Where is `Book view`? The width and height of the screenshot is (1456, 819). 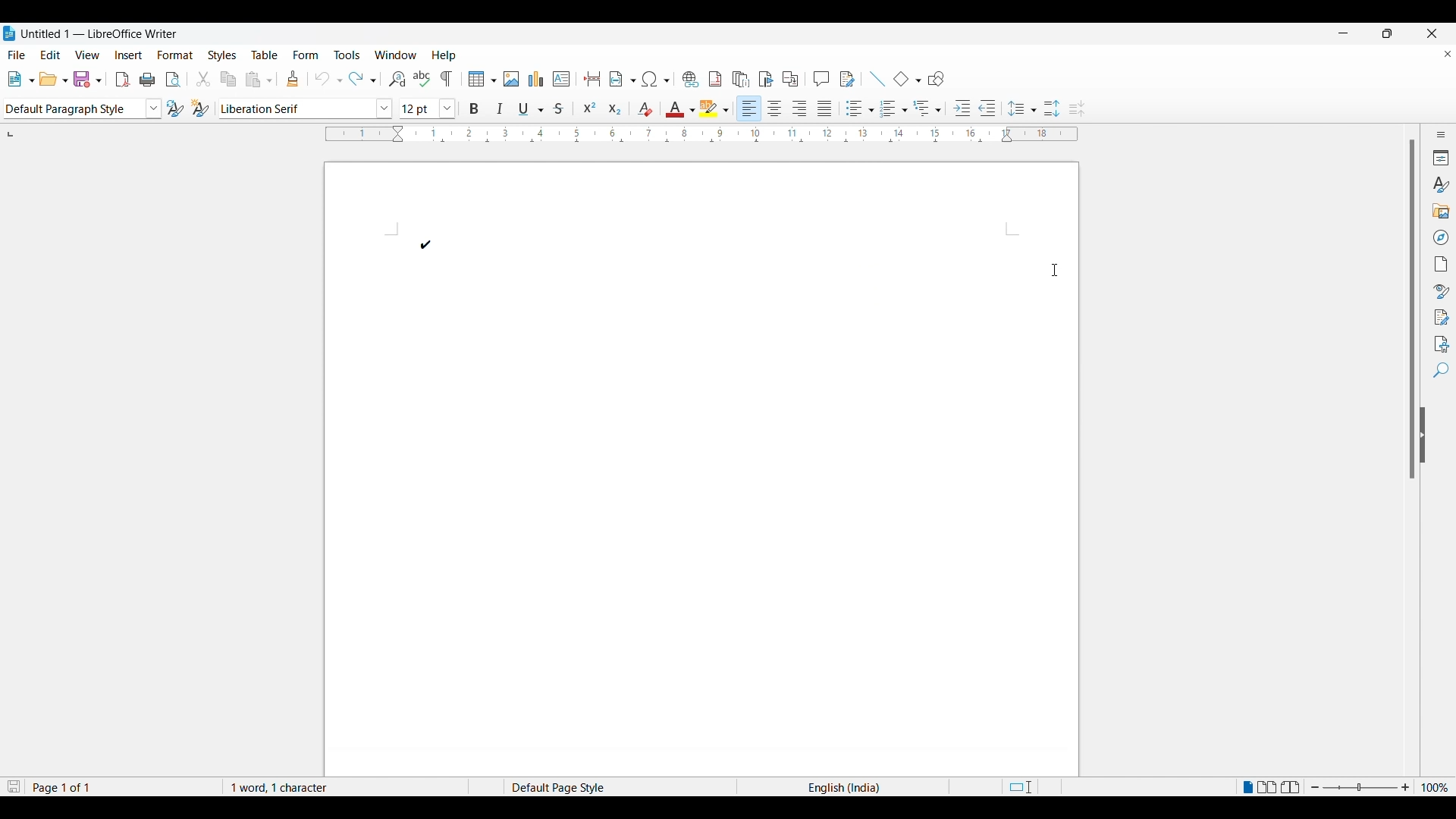 Book view is located at coordinates (1291, 786).